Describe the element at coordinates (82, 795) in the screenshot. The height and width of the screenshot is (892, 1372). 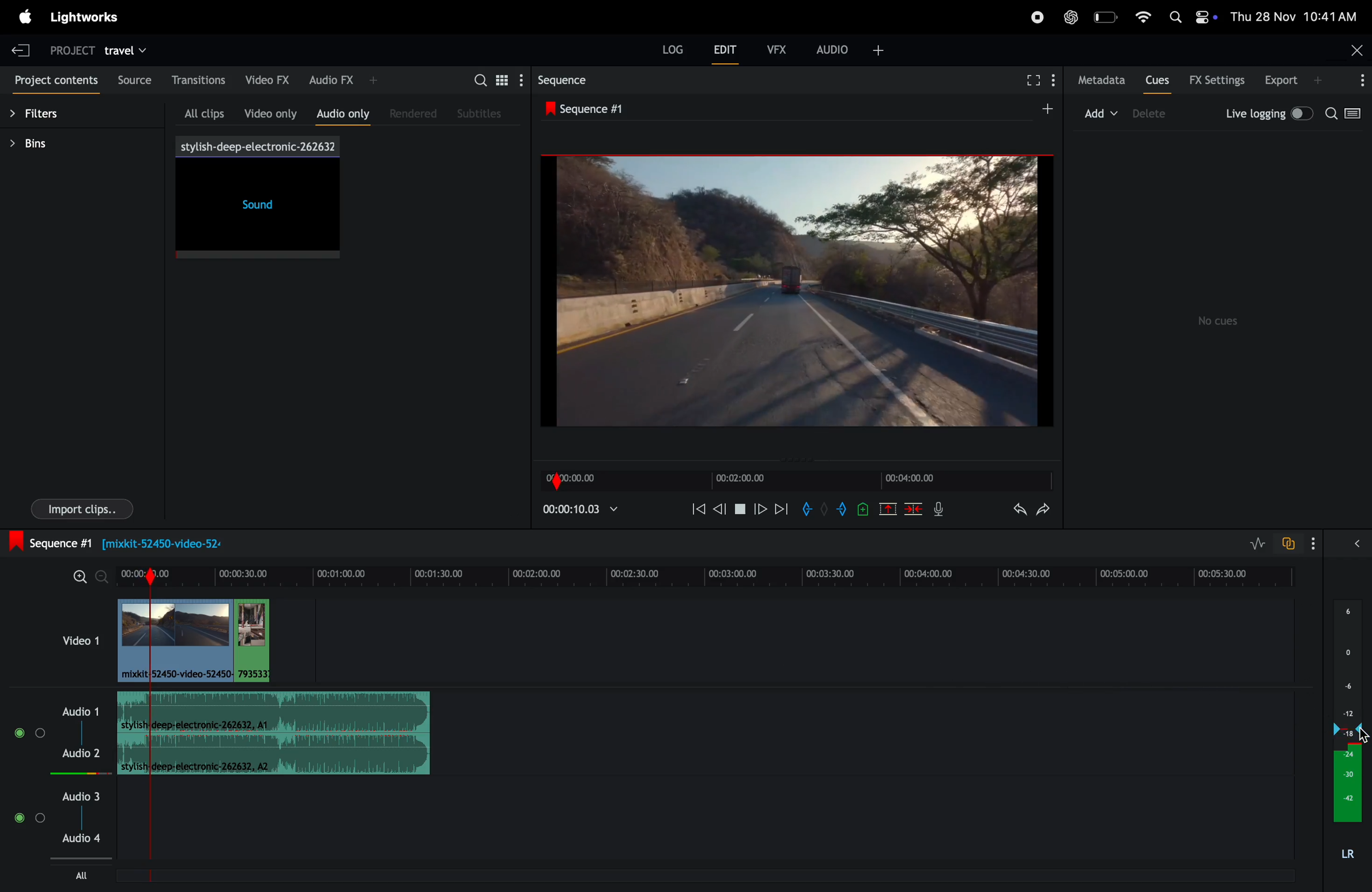
I see `audio 3` at that location.